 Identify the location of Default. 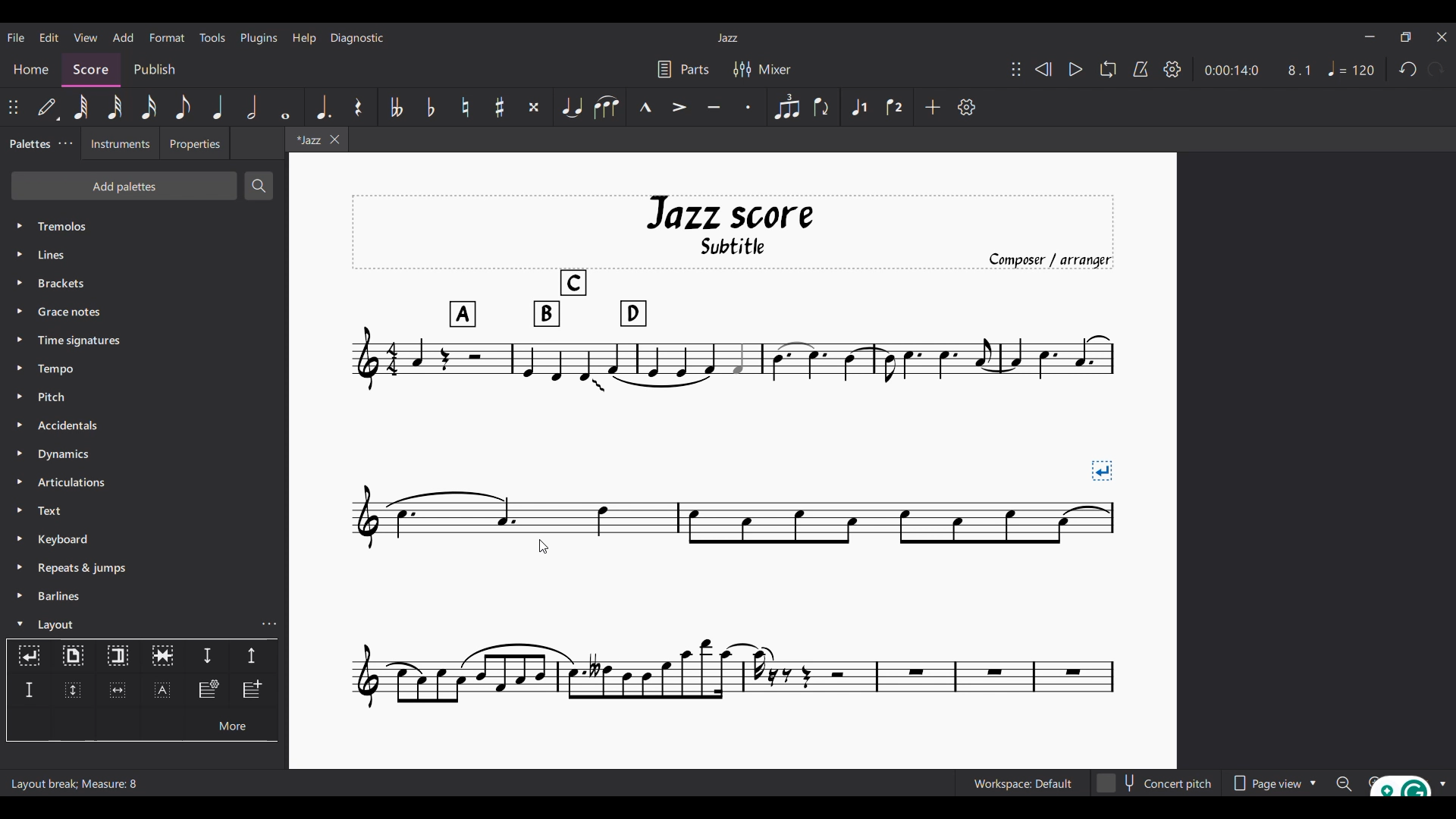
(46, 107).